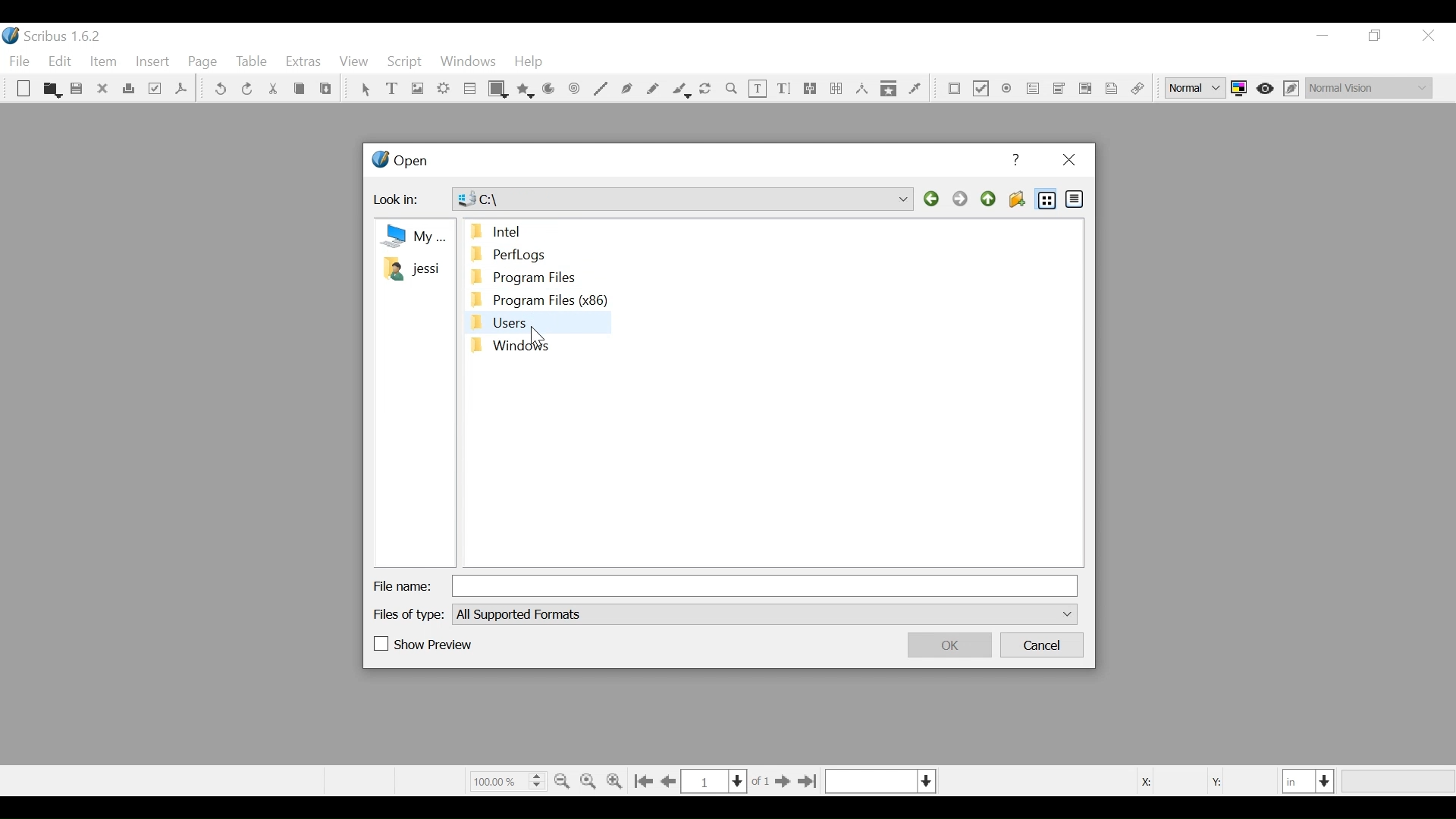  Describe the element at coordinates (1086, 88) in the screenshot. I see `Pdf List Box` at that location.